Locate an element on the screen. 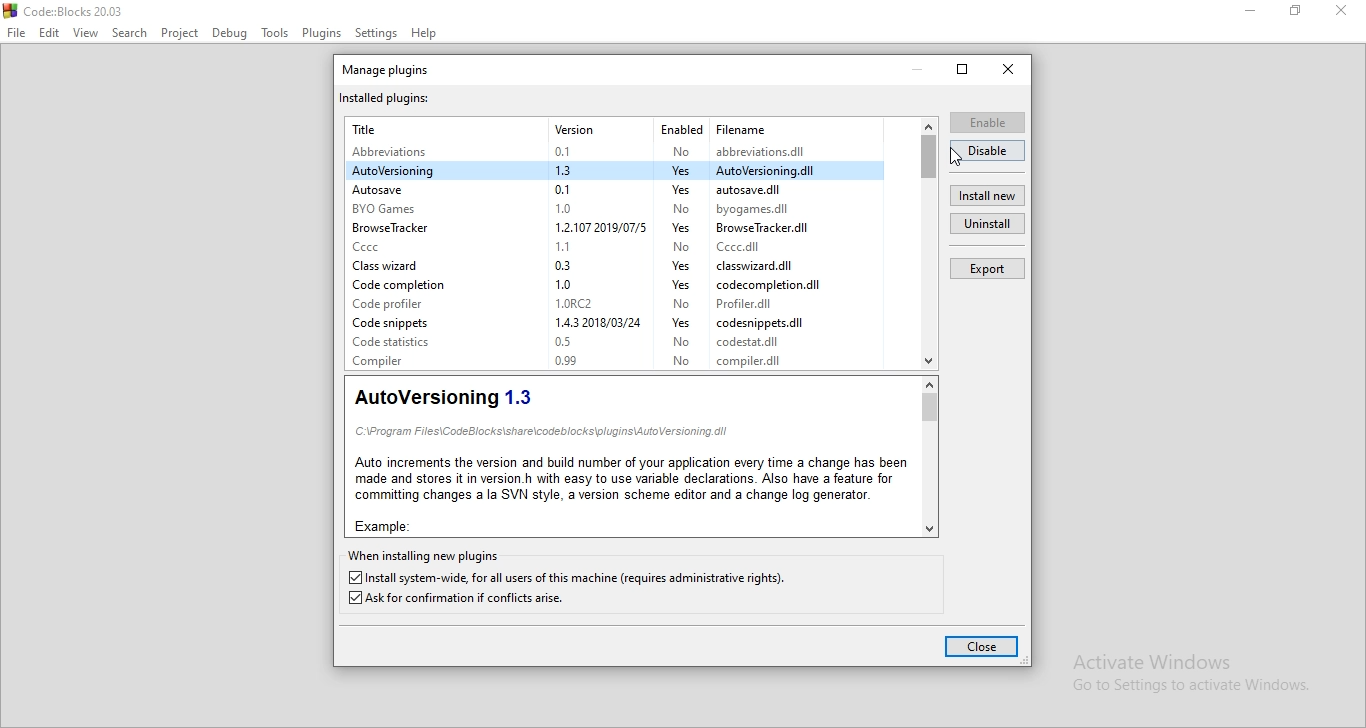 The image size is (1366, 728). yes is located at coordinates (676, 188).